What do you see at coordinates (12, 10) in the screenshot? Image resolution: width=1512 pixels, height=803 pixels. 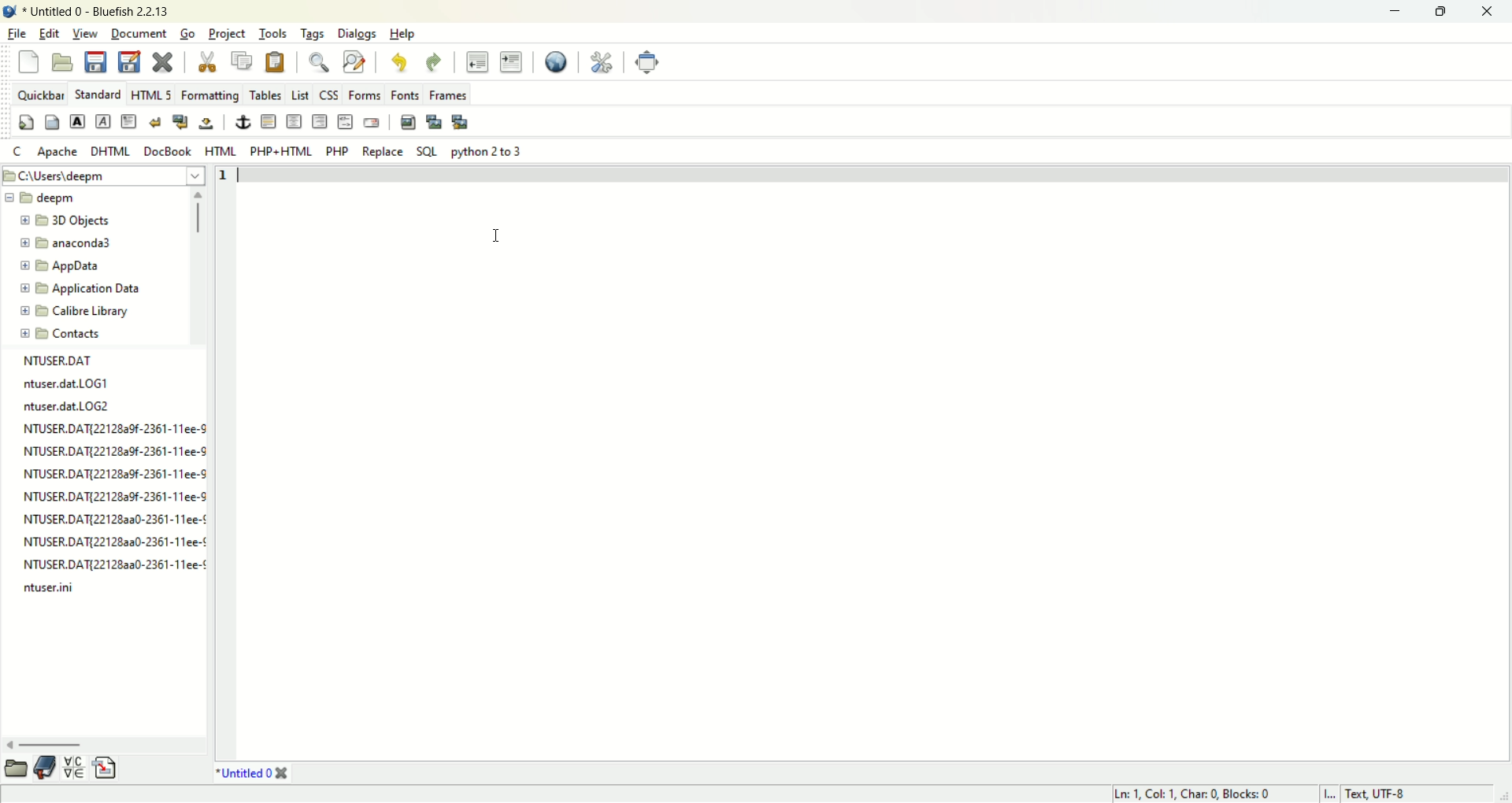 I see `logo` at bounding box center [12, 10].